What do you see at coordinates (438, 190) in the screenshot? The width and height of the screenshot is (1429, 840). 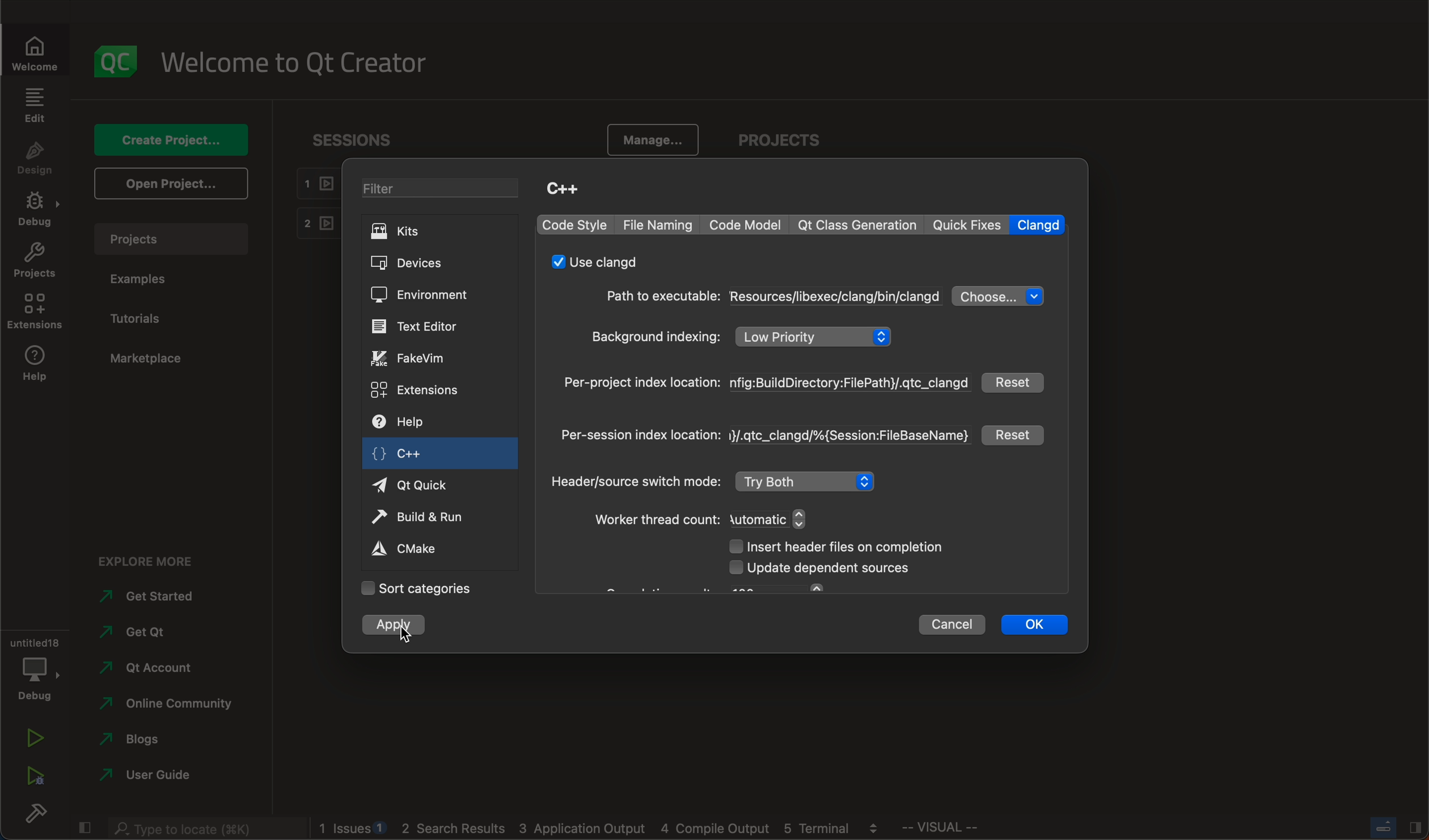 I see `FILTER` at bounding box center [438, 190].